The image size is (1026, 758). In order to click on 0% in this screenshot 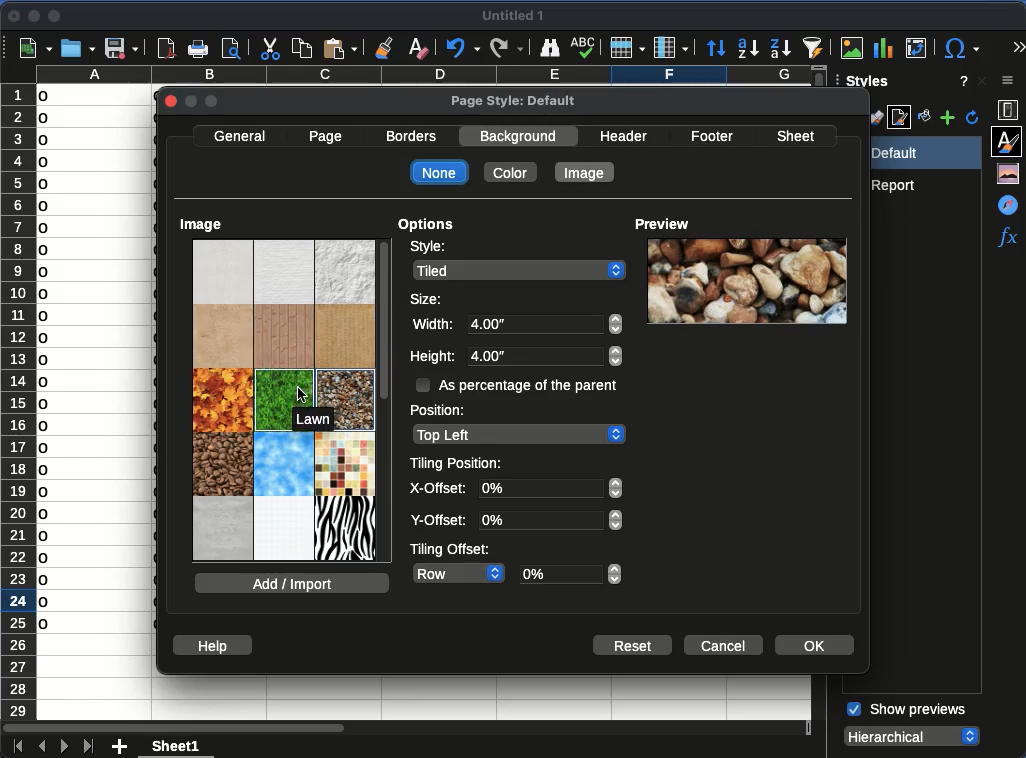, I will do `click(550, 504)`.